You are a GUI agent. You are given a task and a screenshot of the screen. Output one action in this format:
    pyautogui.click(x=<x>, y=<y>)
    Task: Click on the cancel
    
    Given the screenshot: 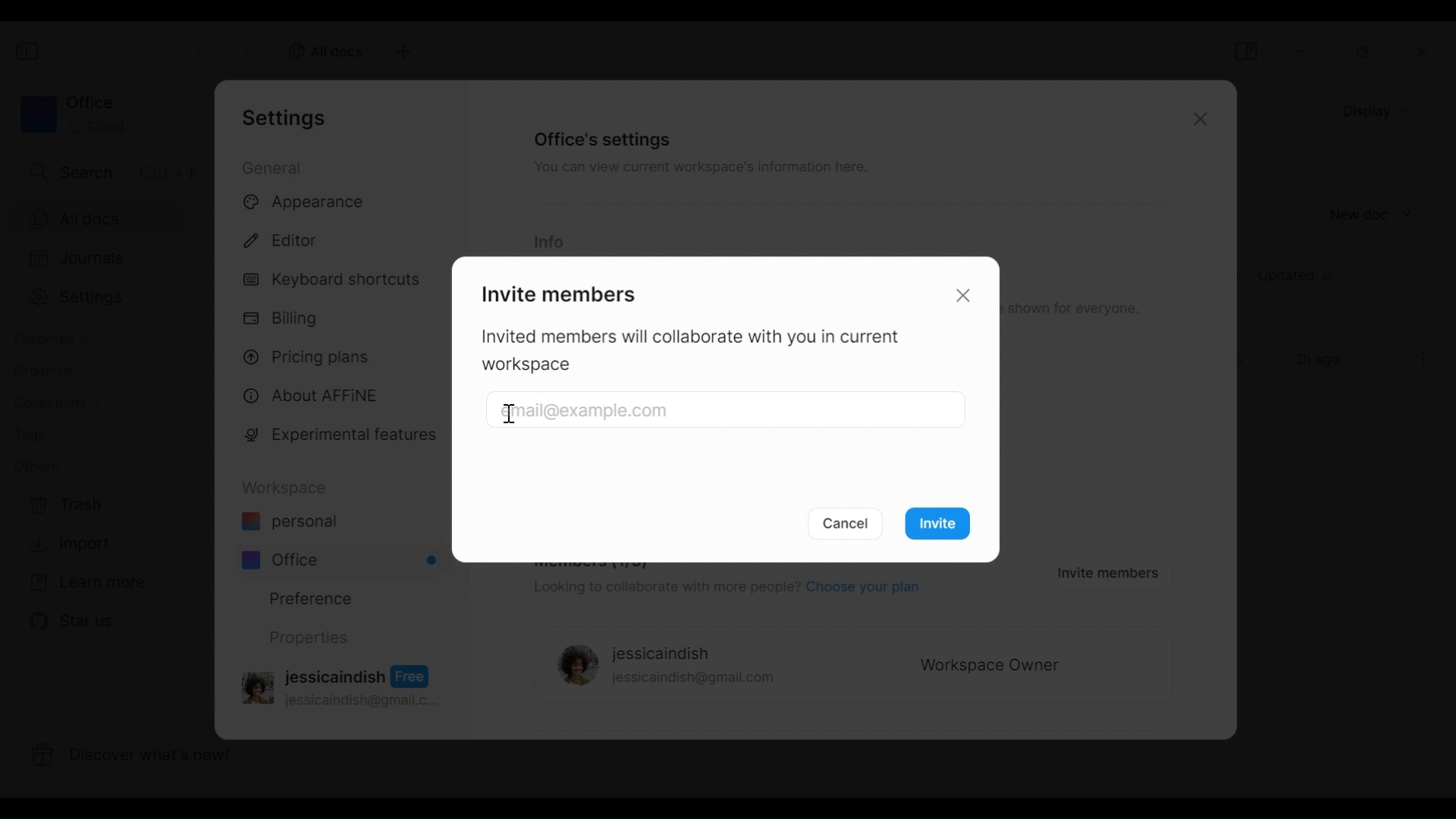 What is the action you would take?
    pyautogui.click(x=847, y=523)
    